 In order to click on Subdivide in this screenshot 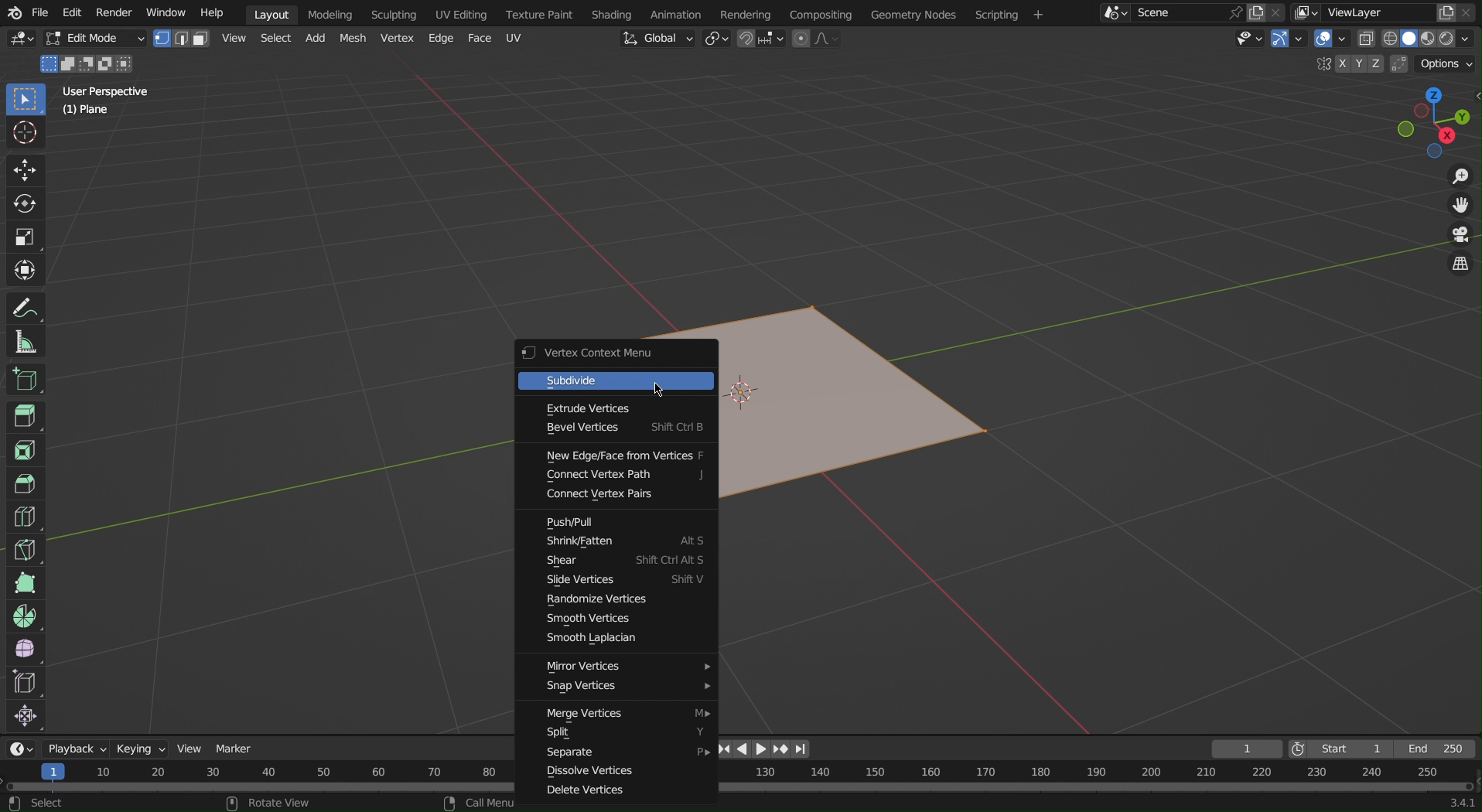, I will do `click(618, 382)`.